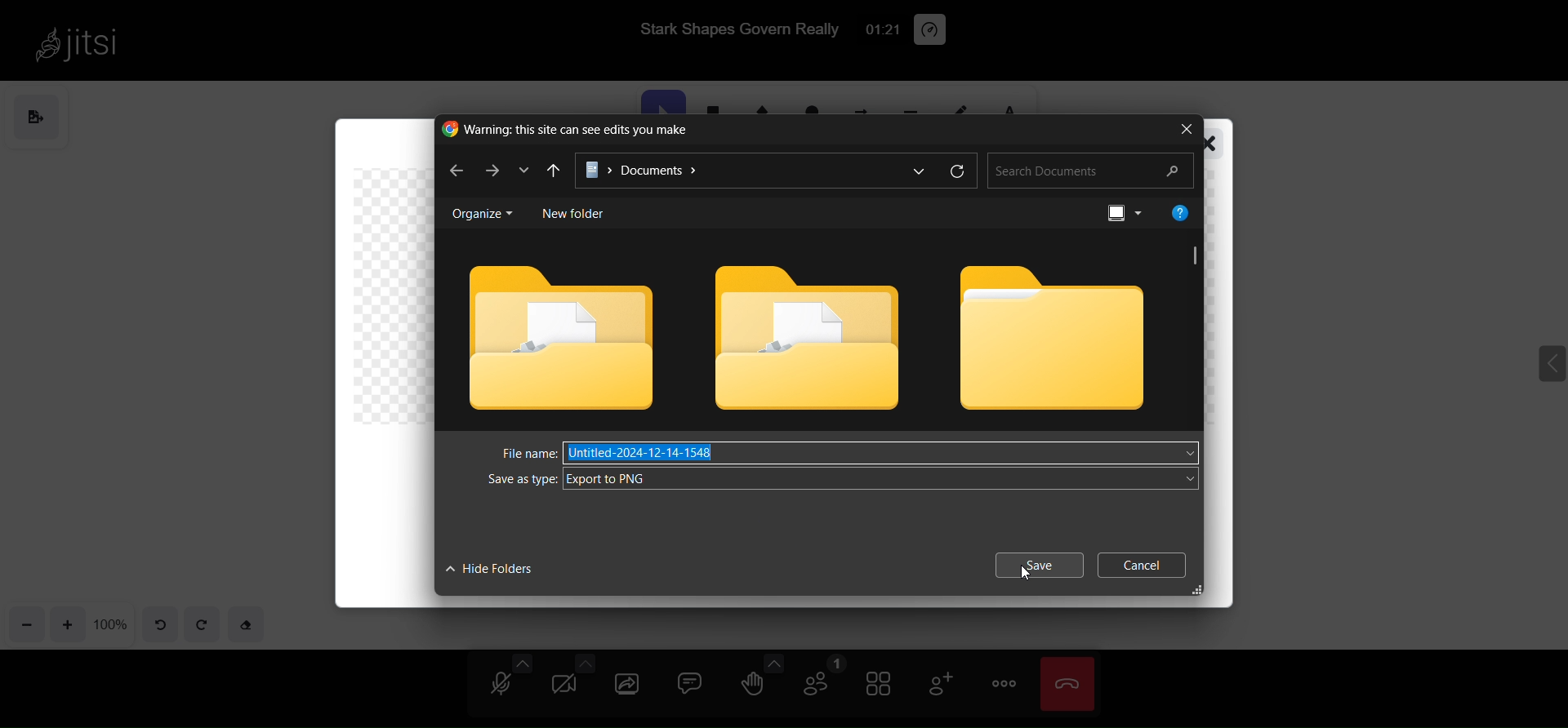 This screenshot has width=1568, height=728. What do you see at coordinates (648, 448) in the screenshot?
I see `Untitled-2024-12-14-1548` at bounding box center [648, 448].